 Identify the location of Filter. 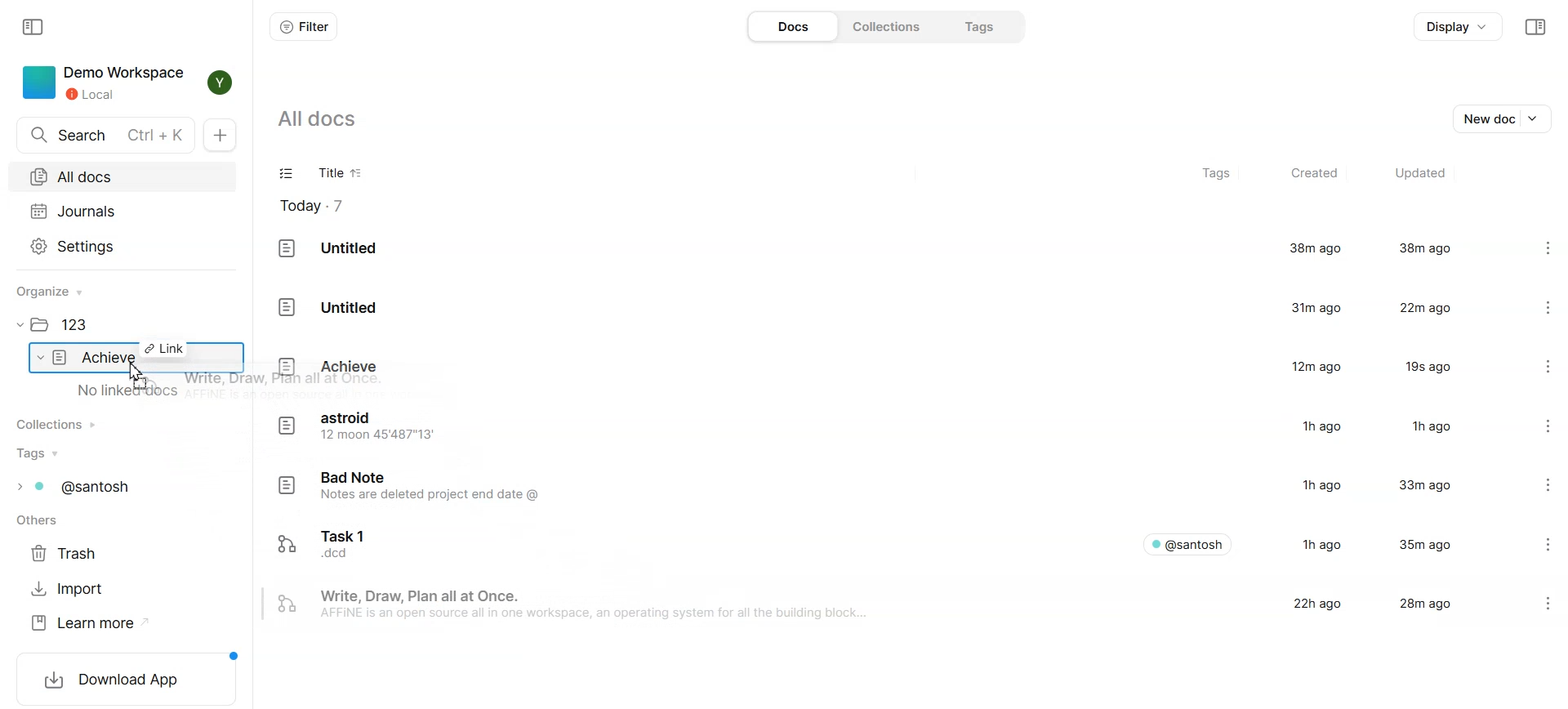
(303, 26).